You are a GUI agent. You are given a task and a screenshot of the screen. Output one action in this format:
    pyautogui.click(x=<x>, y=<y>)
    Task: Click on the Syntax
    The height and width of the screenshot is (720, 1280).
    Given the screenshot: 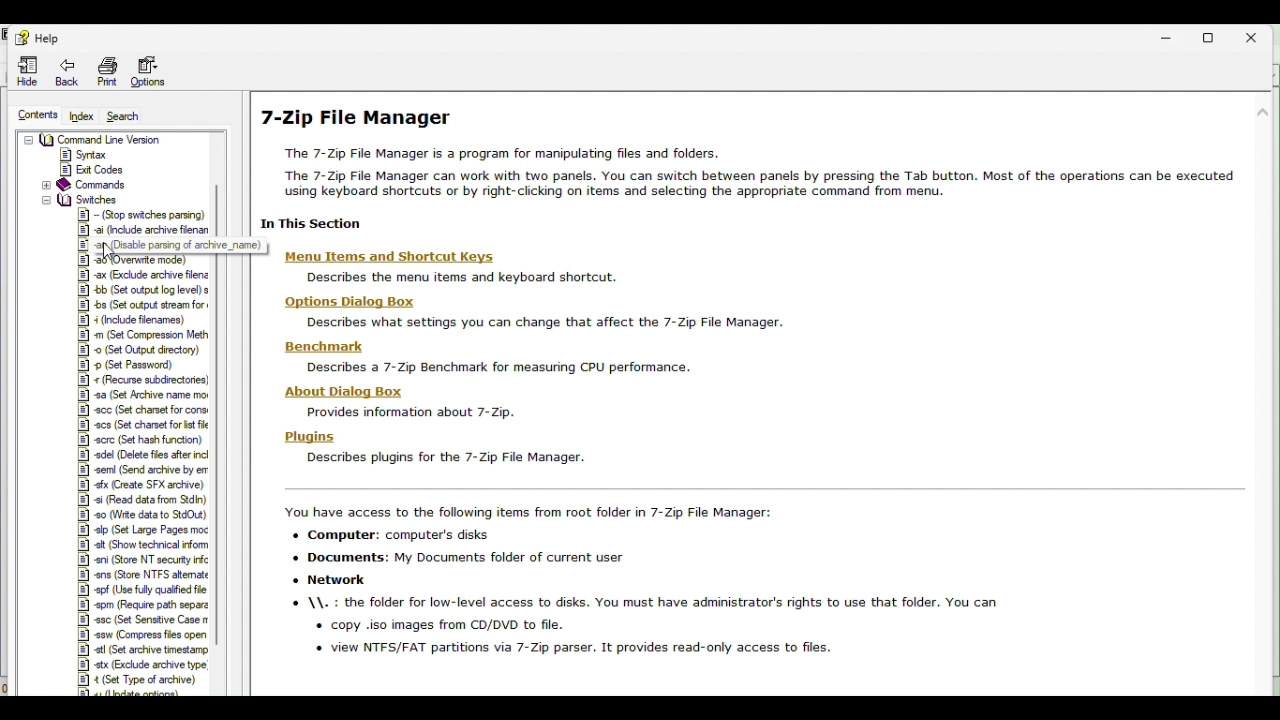 What is the action you would take?
    pyautogui.click(x=86, y=154)
    